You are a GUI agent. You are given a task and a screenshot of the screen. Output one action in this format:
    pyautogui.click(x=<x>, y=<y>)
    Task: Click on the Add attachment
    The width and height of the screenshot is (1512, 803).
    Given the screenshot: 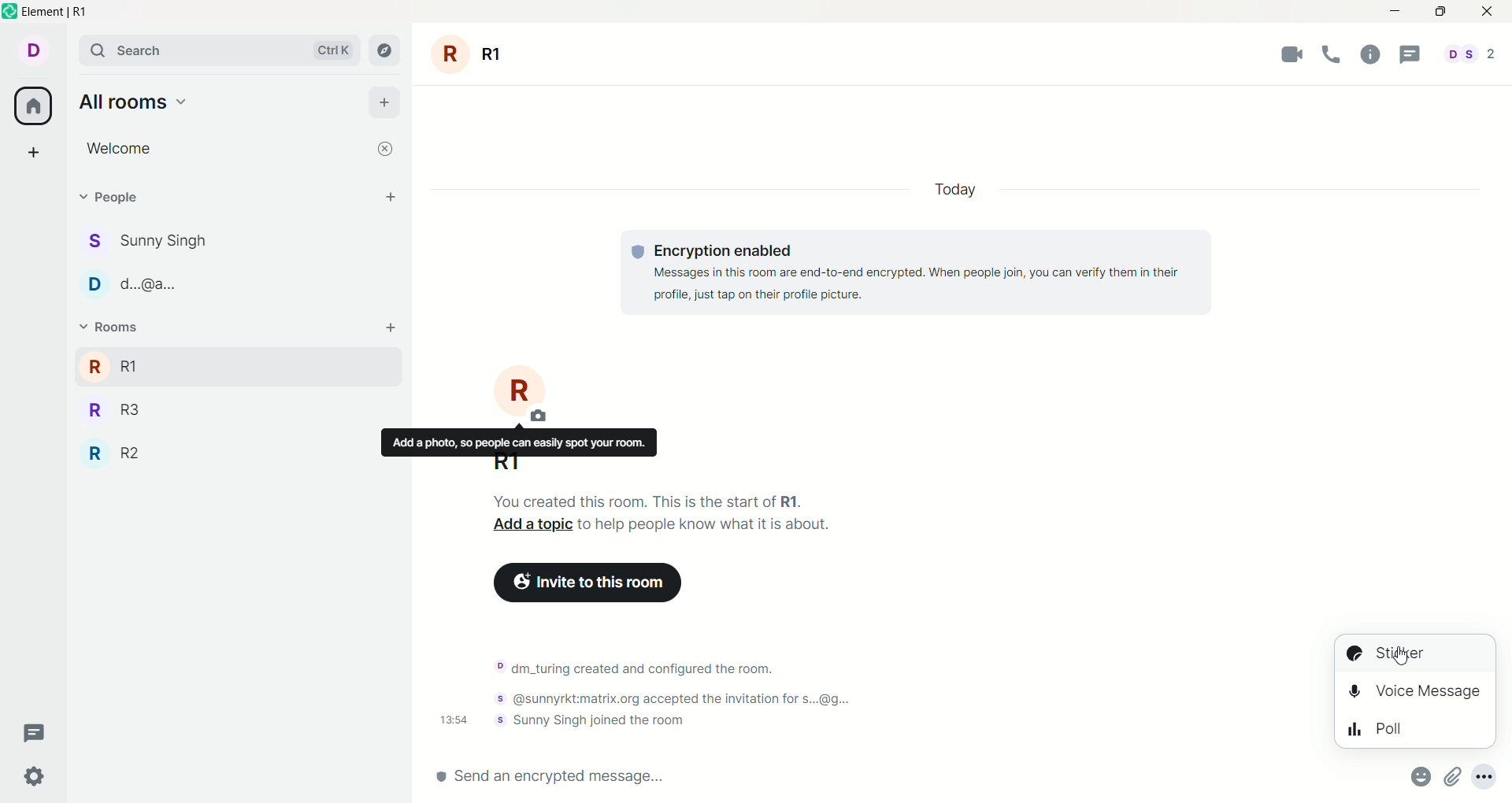 What is the action you would take?
    pyautogui.click(x=1453, y=776)
    